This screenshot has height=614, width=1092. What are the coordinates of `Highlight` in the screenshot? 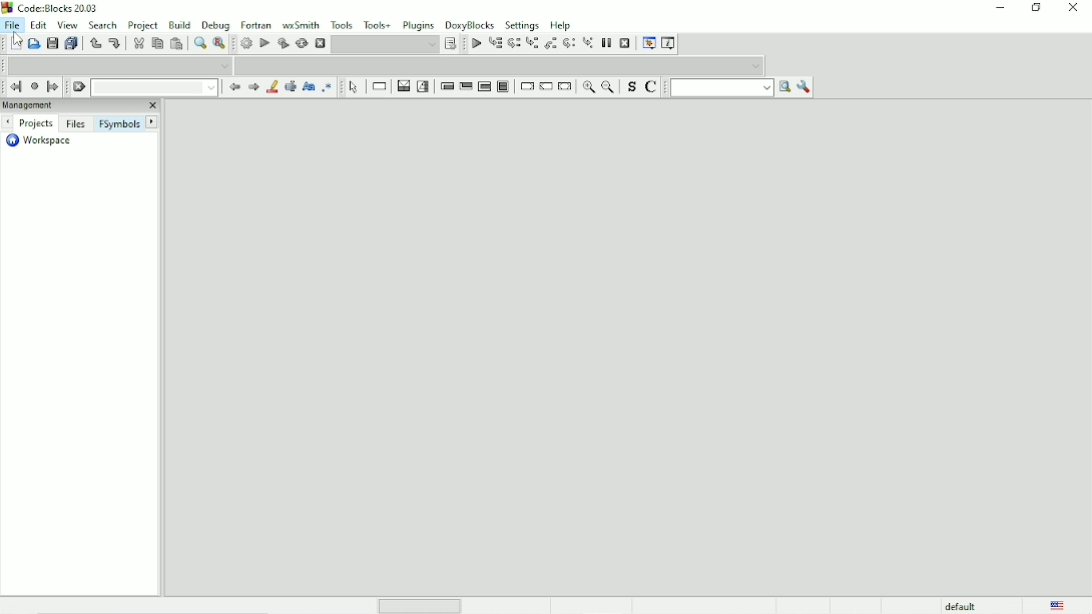 It's located at (273, 87).